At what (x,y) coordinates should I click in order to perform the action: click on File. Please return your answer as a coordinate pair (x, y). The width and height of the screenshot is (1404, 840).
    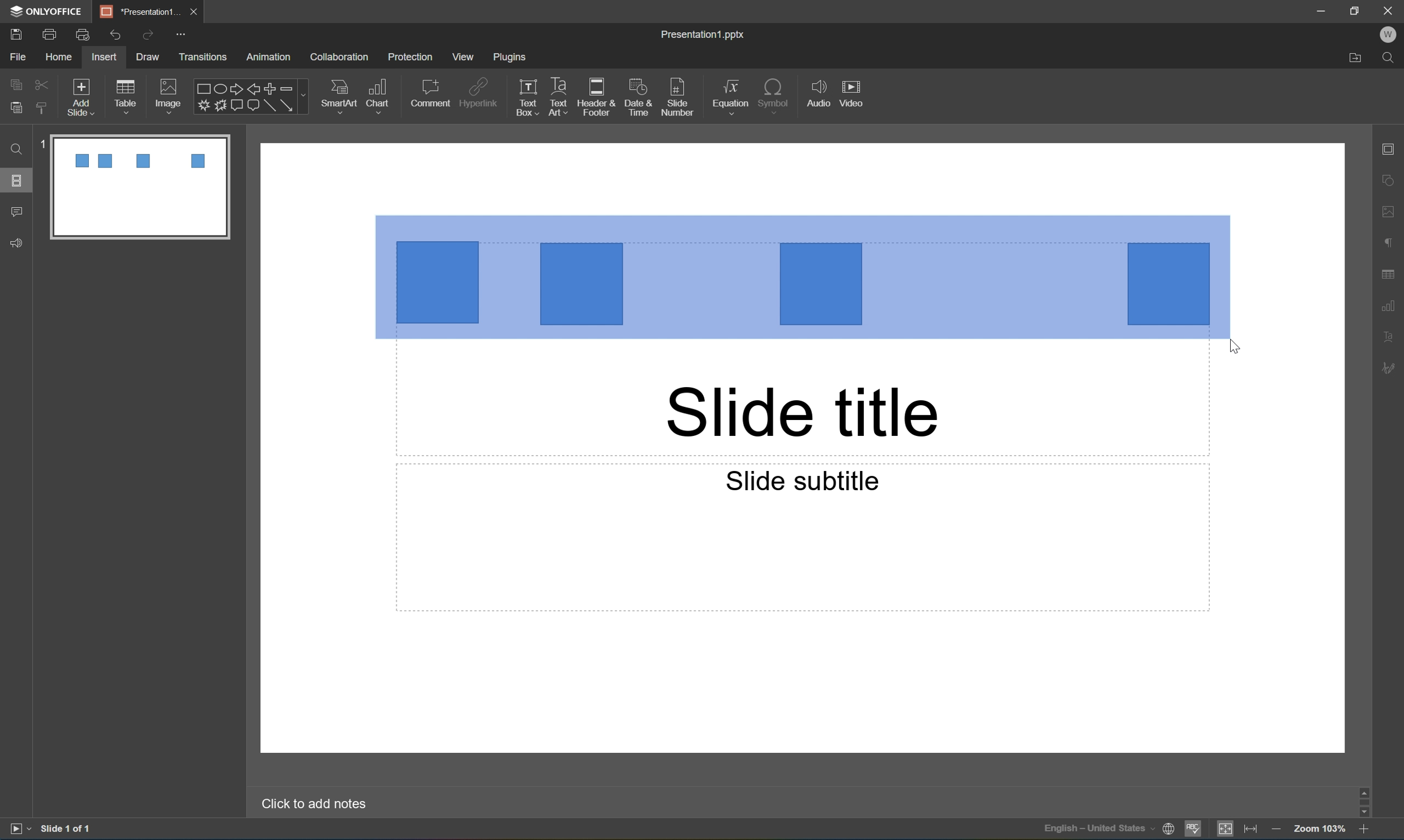
    Looking at the image, I should click on (20, 58).